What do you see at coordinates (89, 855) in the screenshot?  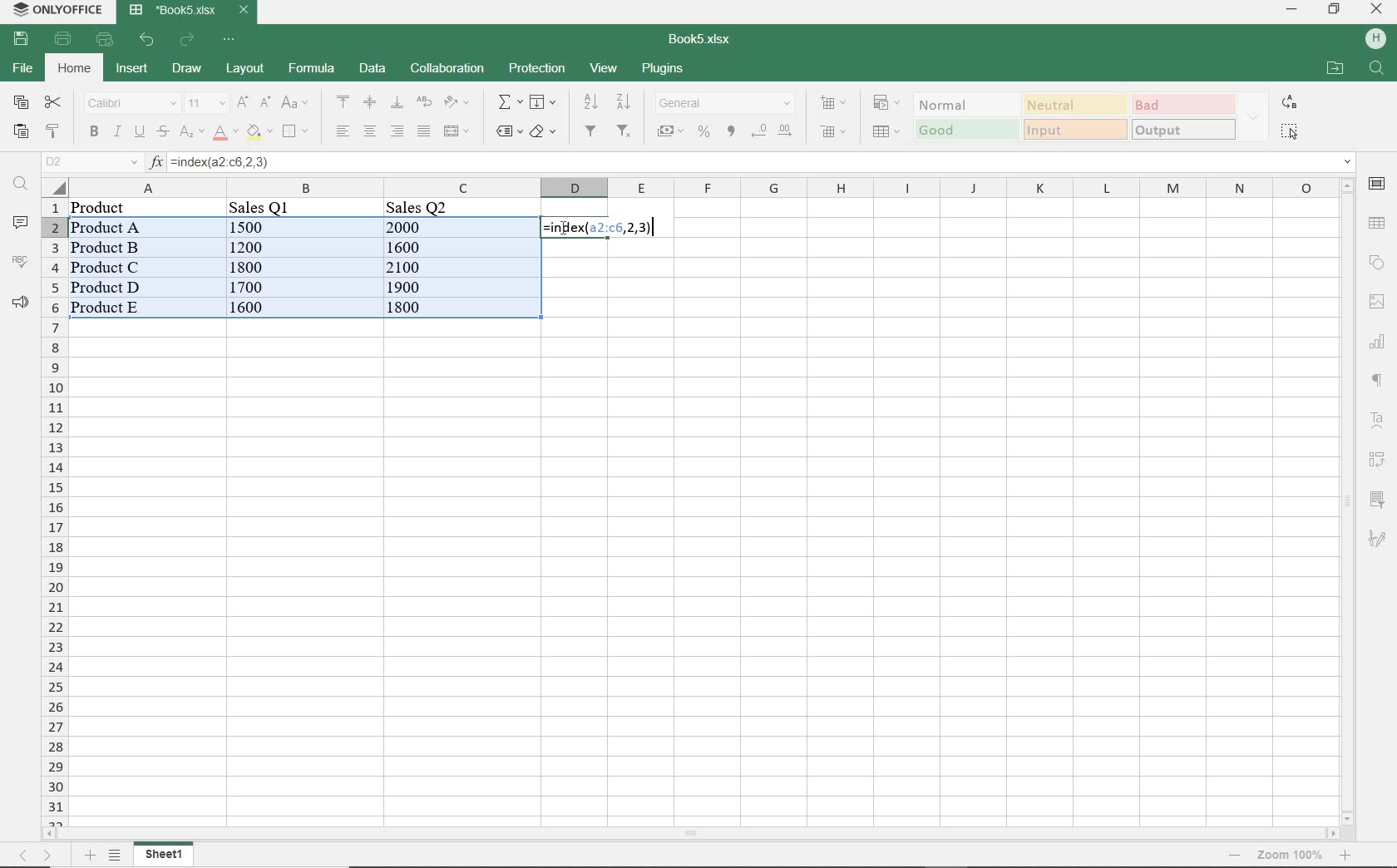 I see `add sheet` at bounding box center [89, 855].